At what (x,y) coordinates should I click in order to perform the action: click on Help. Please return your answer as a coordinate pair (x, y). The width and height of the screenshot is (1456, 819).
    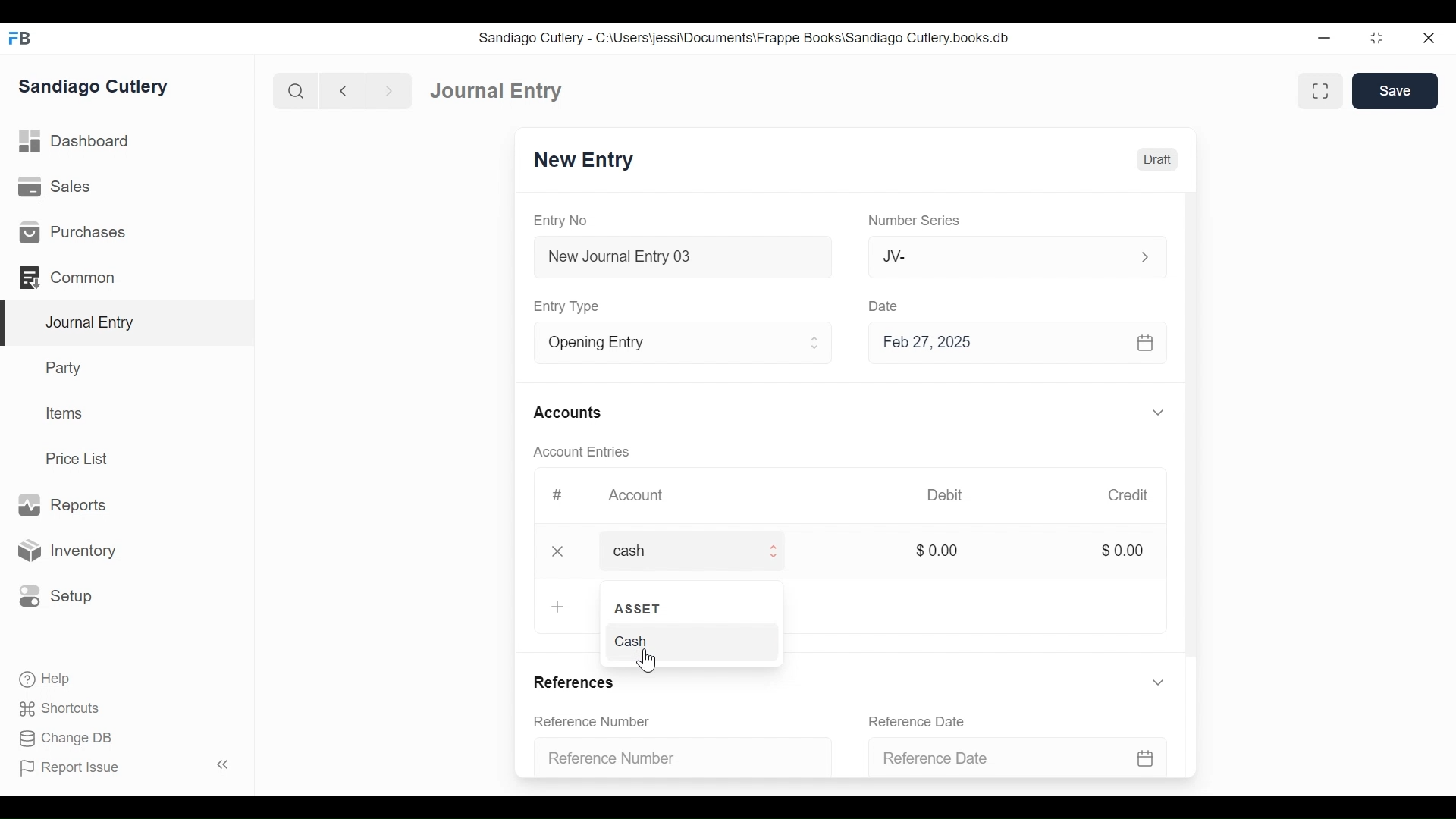
    Looking at the image, I should click on (46, 679).